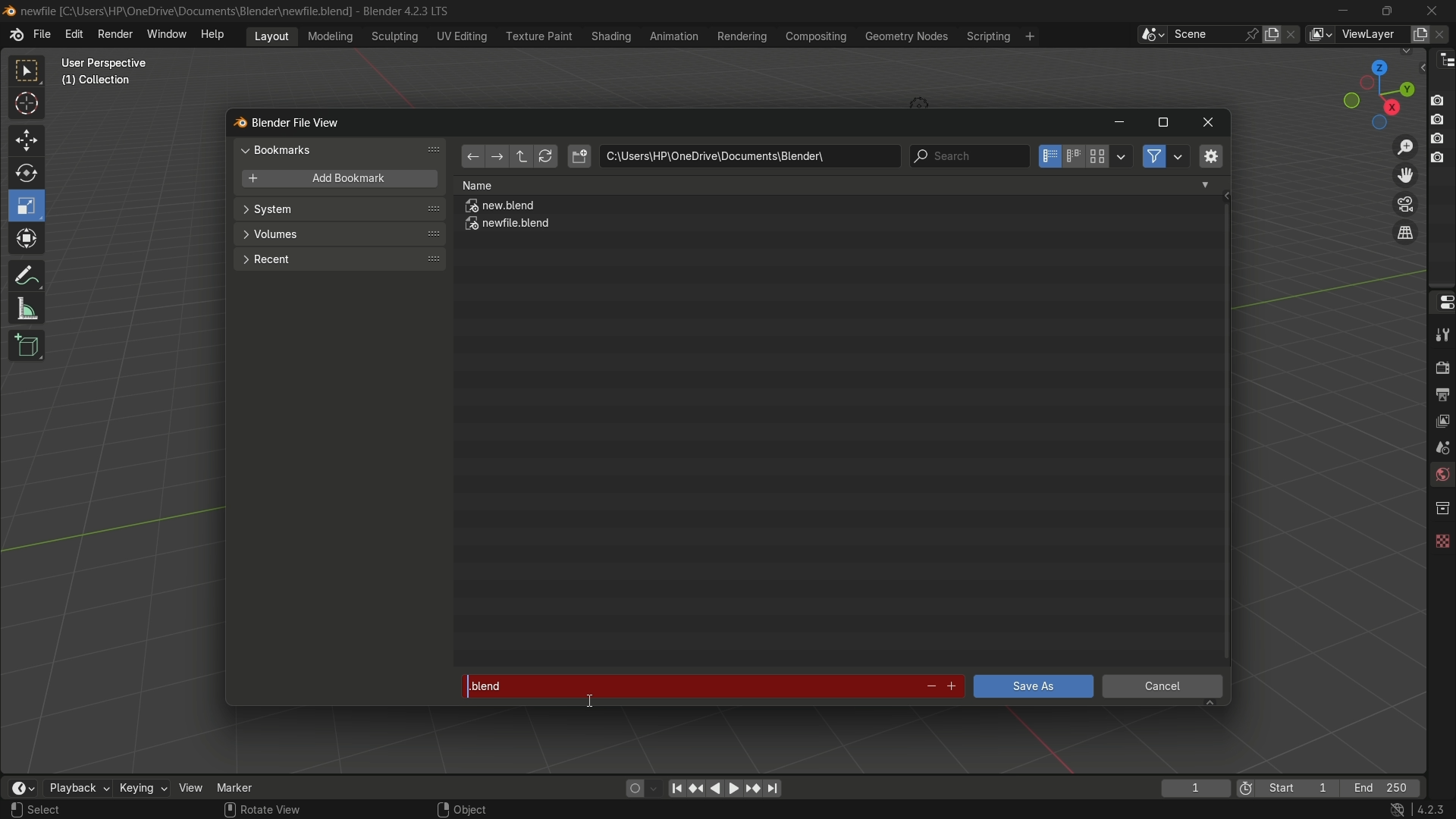  I want to click on playback, so click(77, 788).